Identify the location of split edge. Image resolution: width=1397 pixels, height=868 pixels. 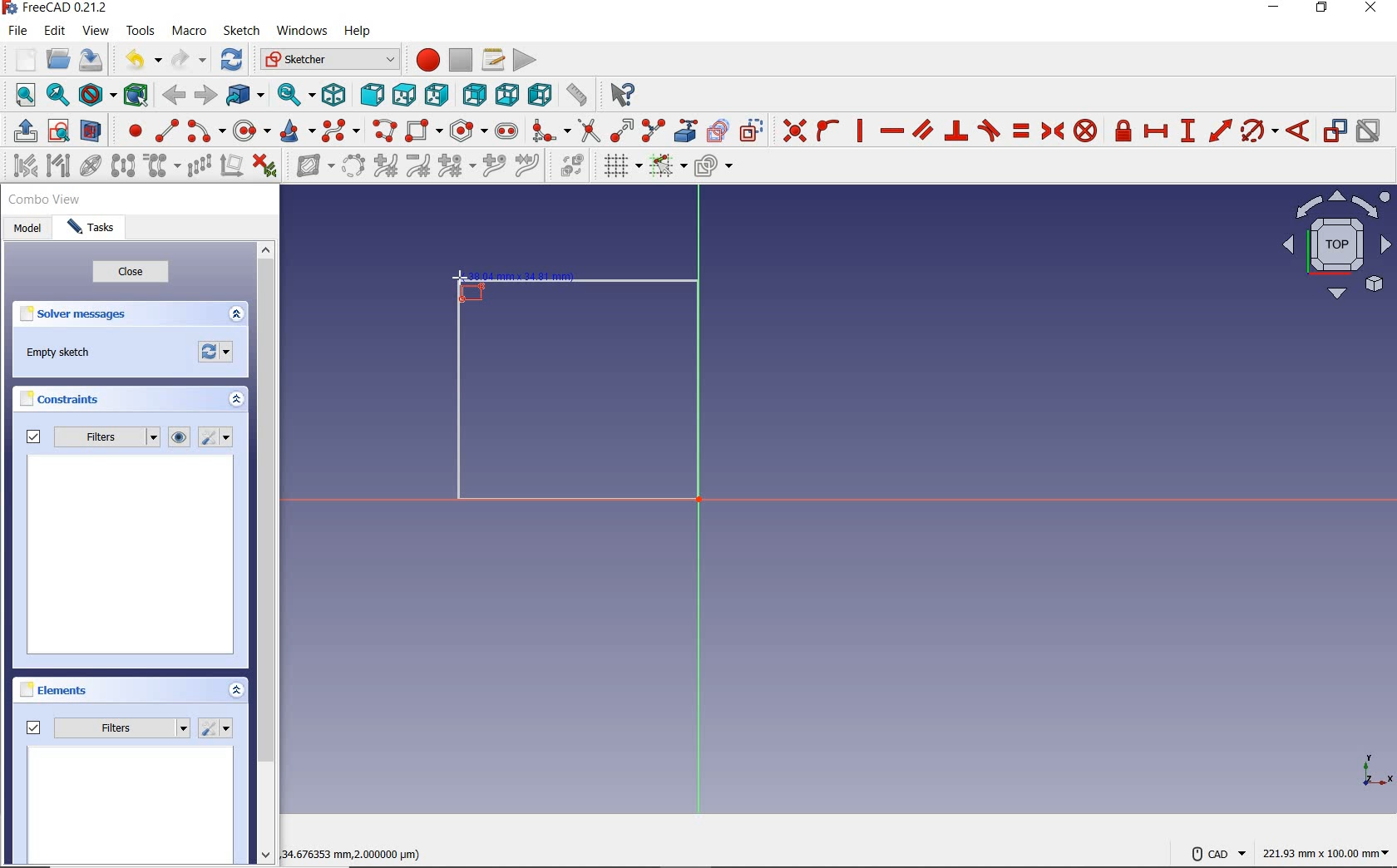
(654, 131).